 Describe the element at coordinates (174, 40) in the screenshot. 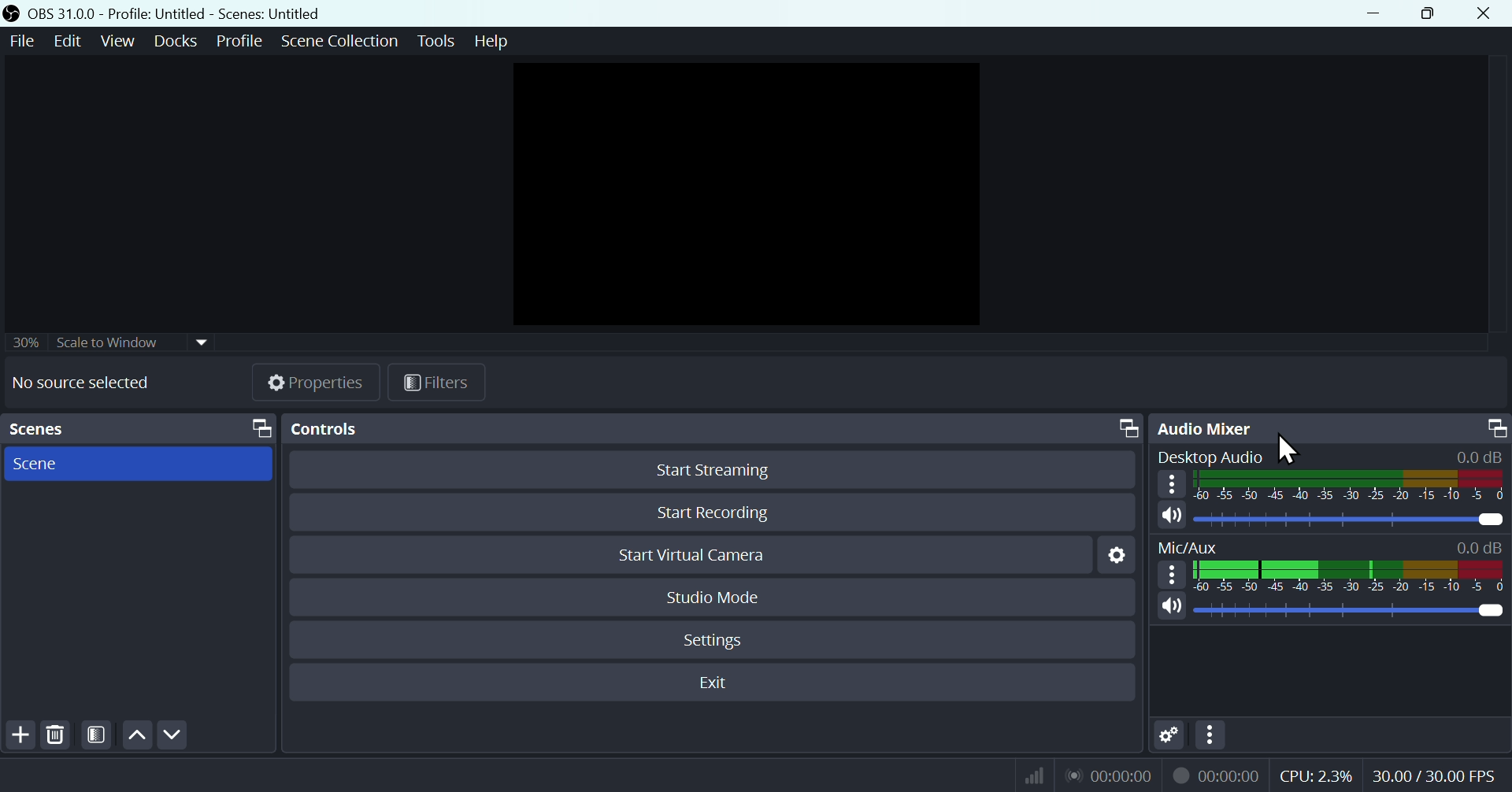

I see `Docks` at that location.